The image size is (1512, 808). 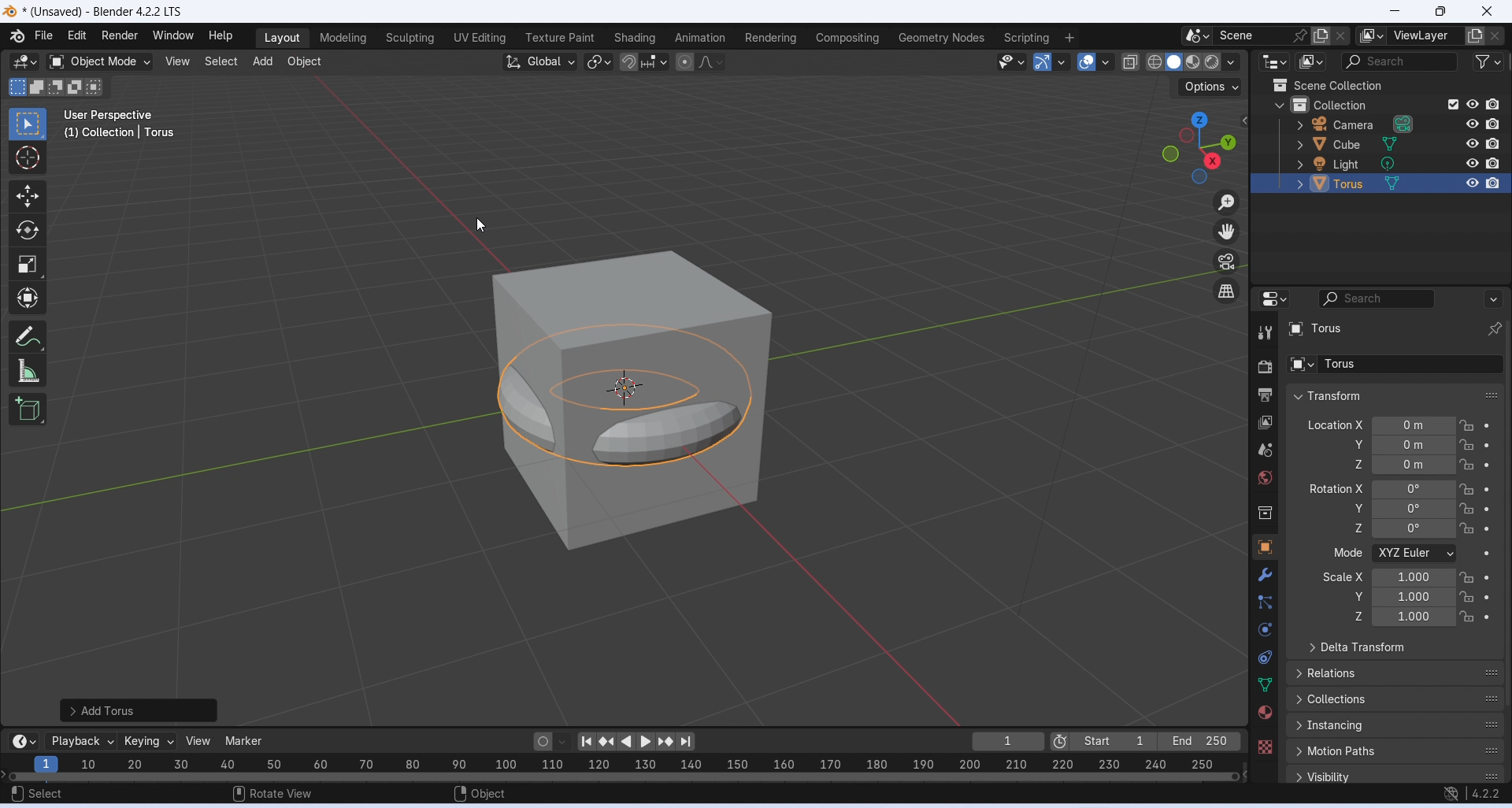 I want to click on (1) Collection | Torus, so click(x=118, y=133).